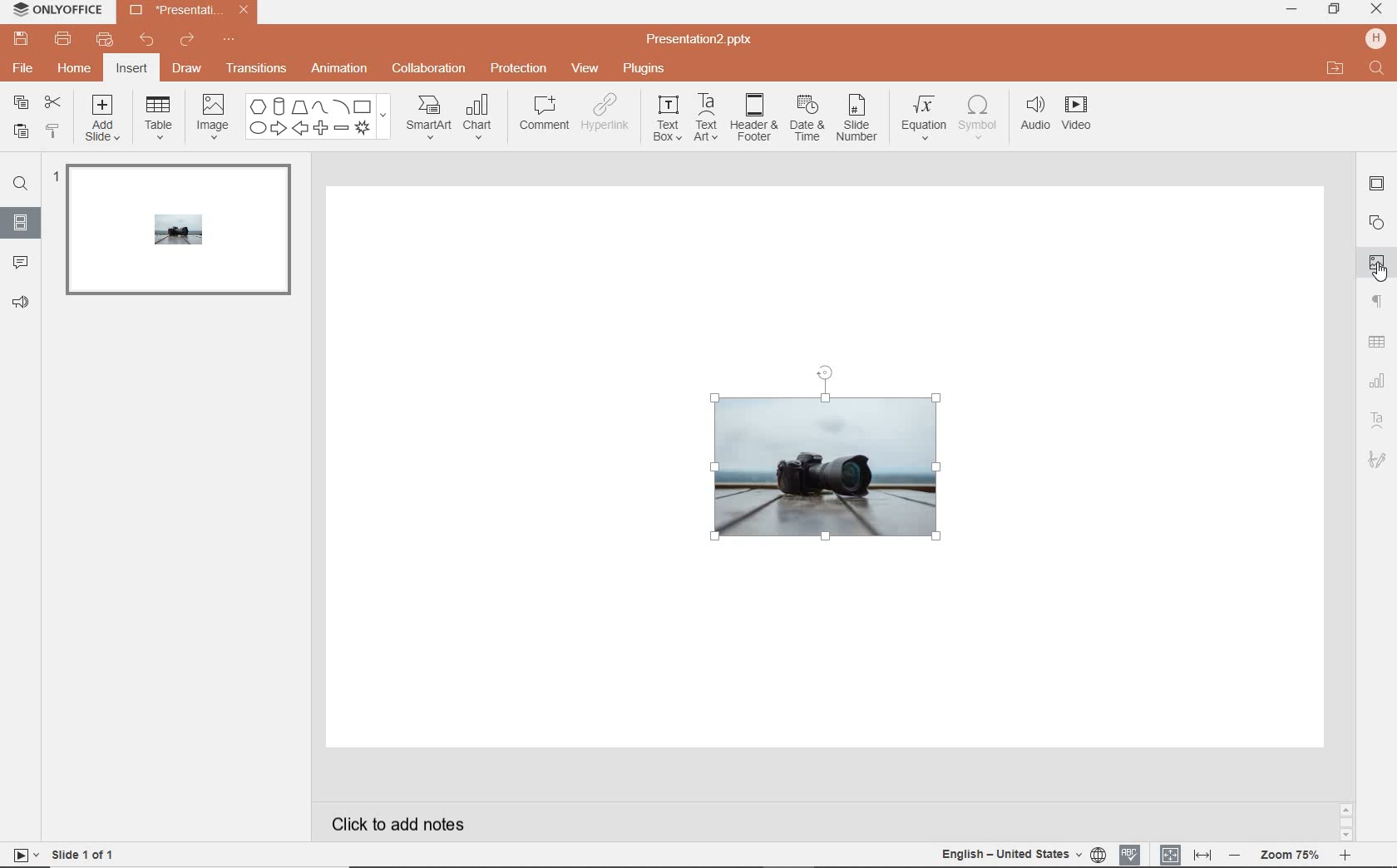 This screenshot has height=868, width=1397. Describe the element at coordinates (980, 117) in the screenshot. I see `symbol` at that location.